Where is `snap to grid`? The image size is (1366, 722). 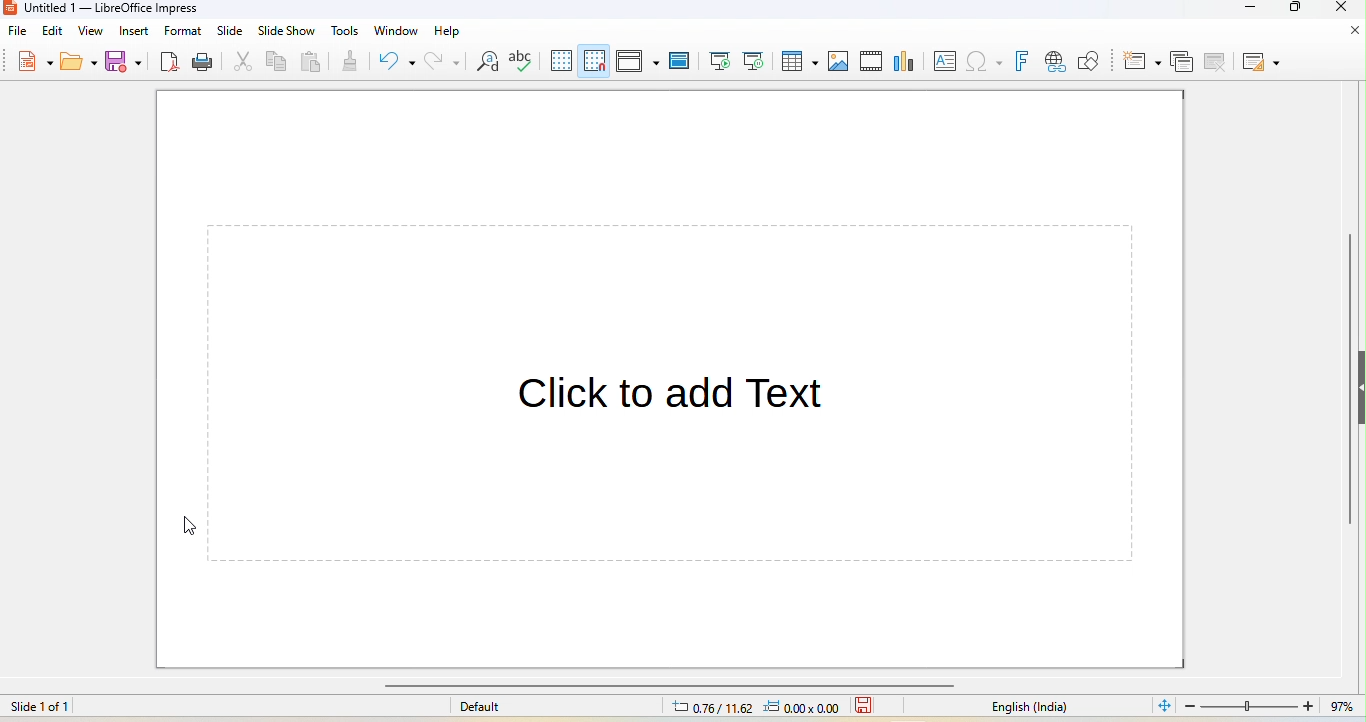
snap to grid is located at coordinates (595, 61).